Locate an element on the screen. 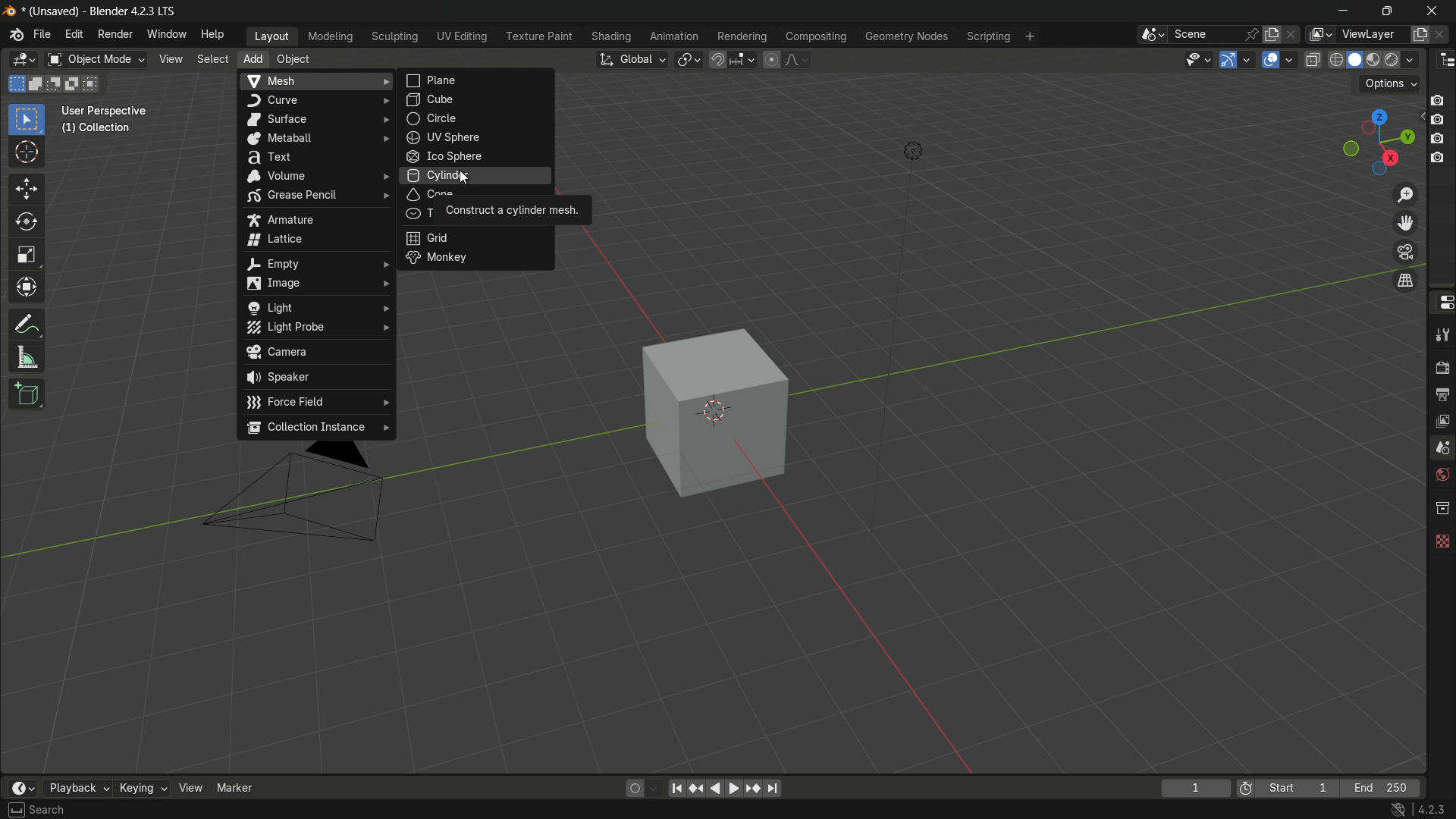 The image size is (1456, 819). measure is located at coordinates (27, 358).